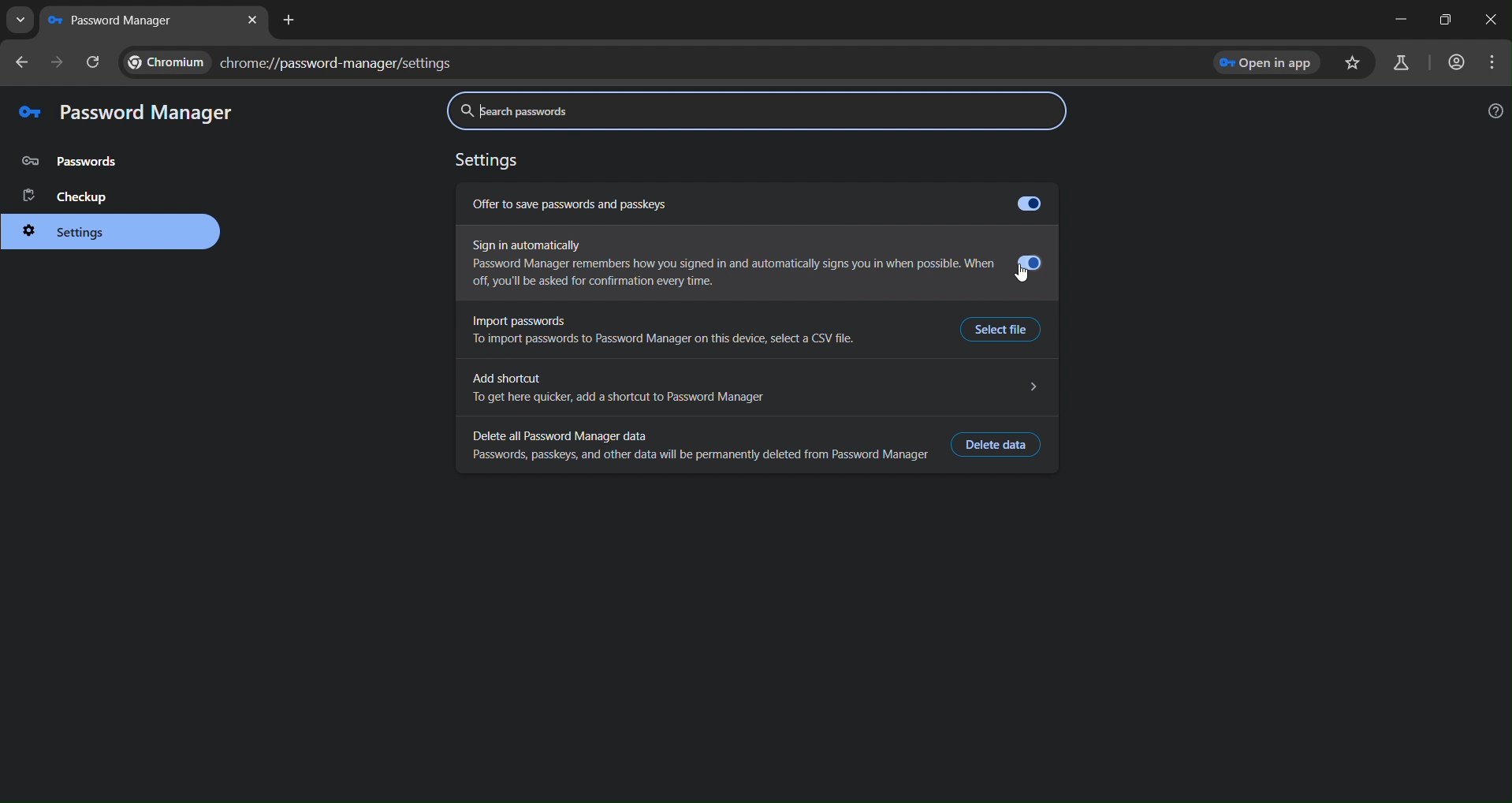  What do you see at coordinates (20, 21) in the screenshot?
I see `search tabs` at bounding box center [20, 21].